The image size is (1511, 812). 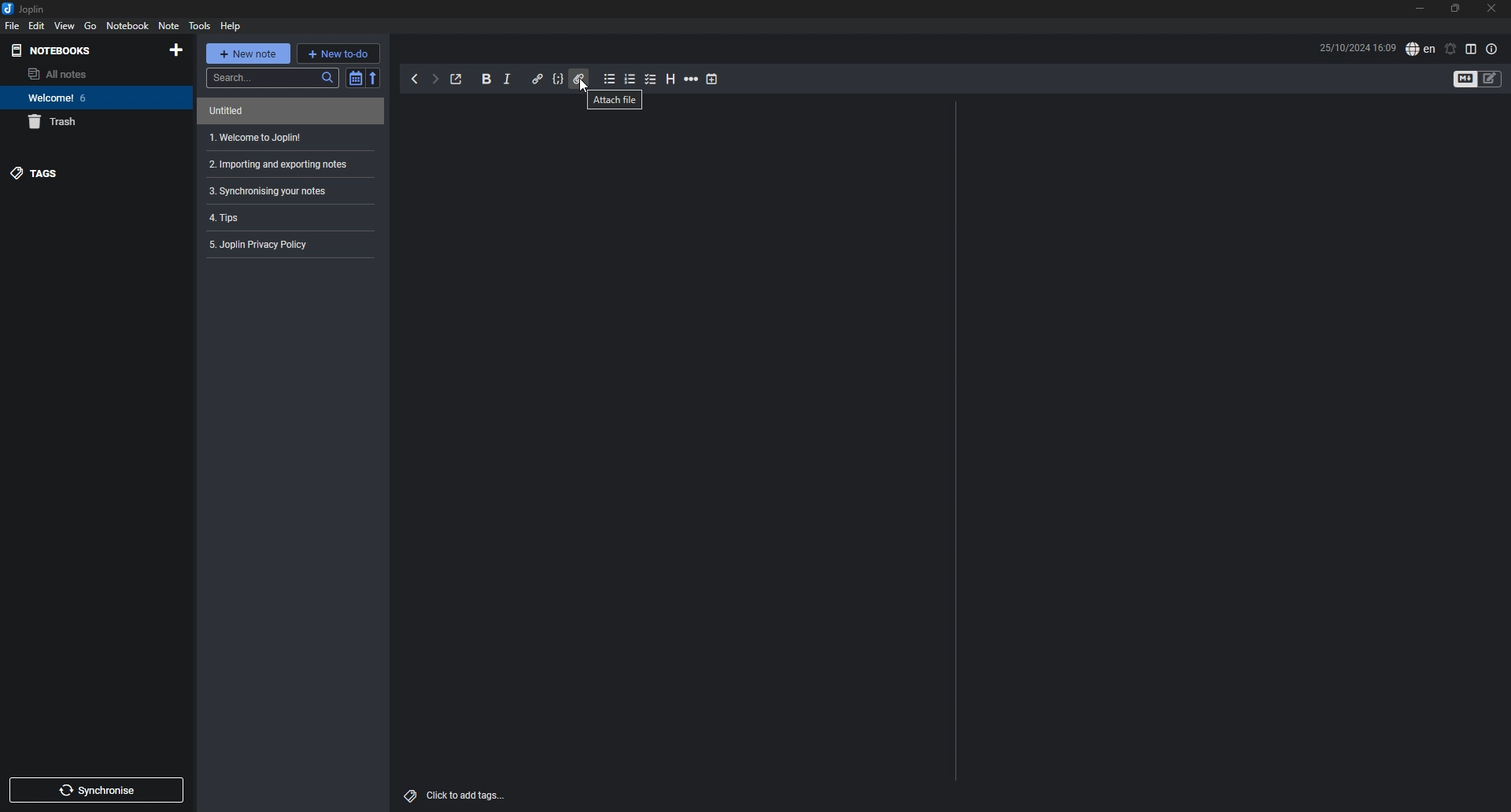 What do you see at coordinates (286, 112) in the screenshot?
I see `Untitled` at bounding box center [286, 112].